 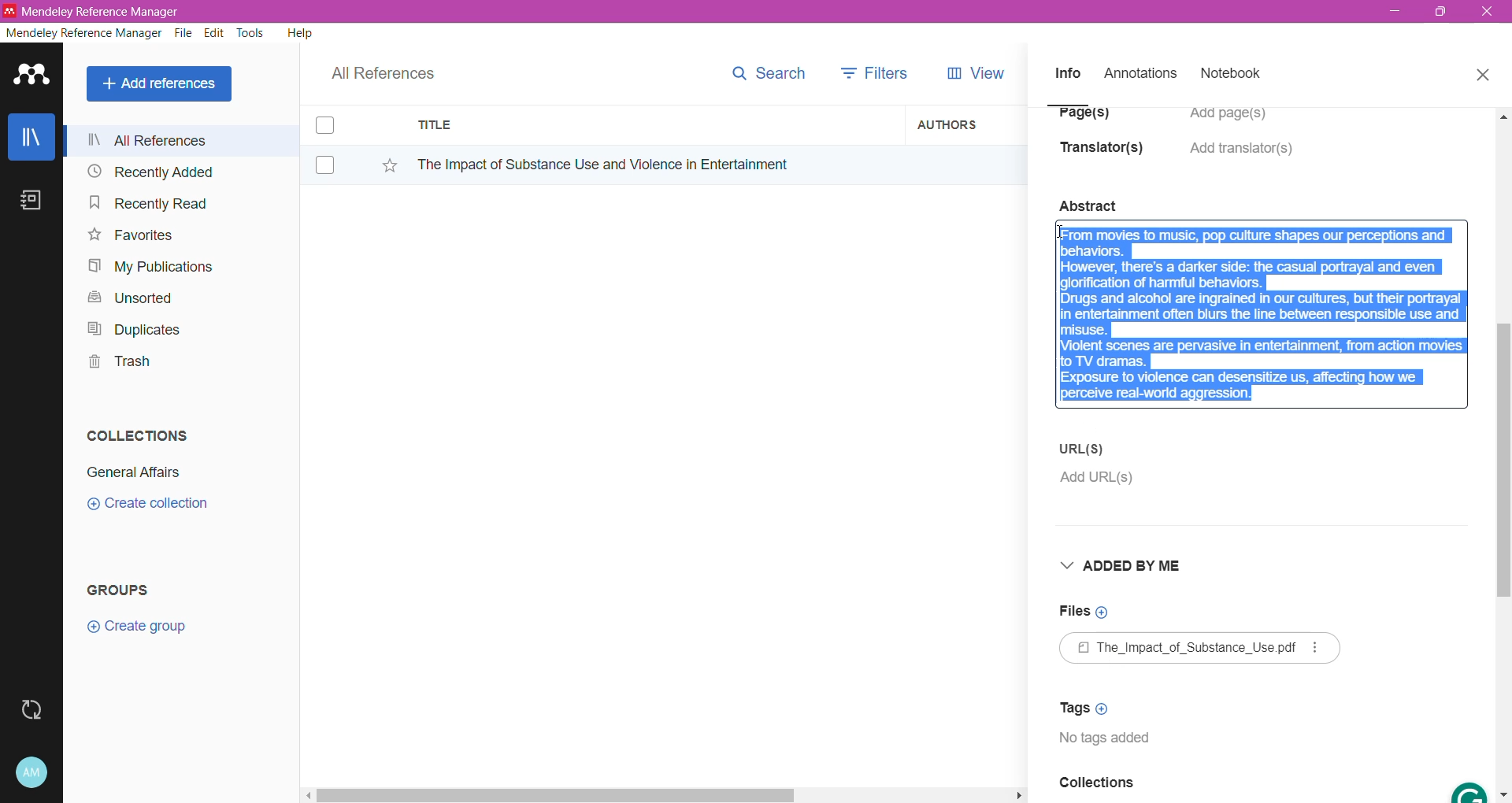 I want to click on Minimize, so click(x=1395, y=12).